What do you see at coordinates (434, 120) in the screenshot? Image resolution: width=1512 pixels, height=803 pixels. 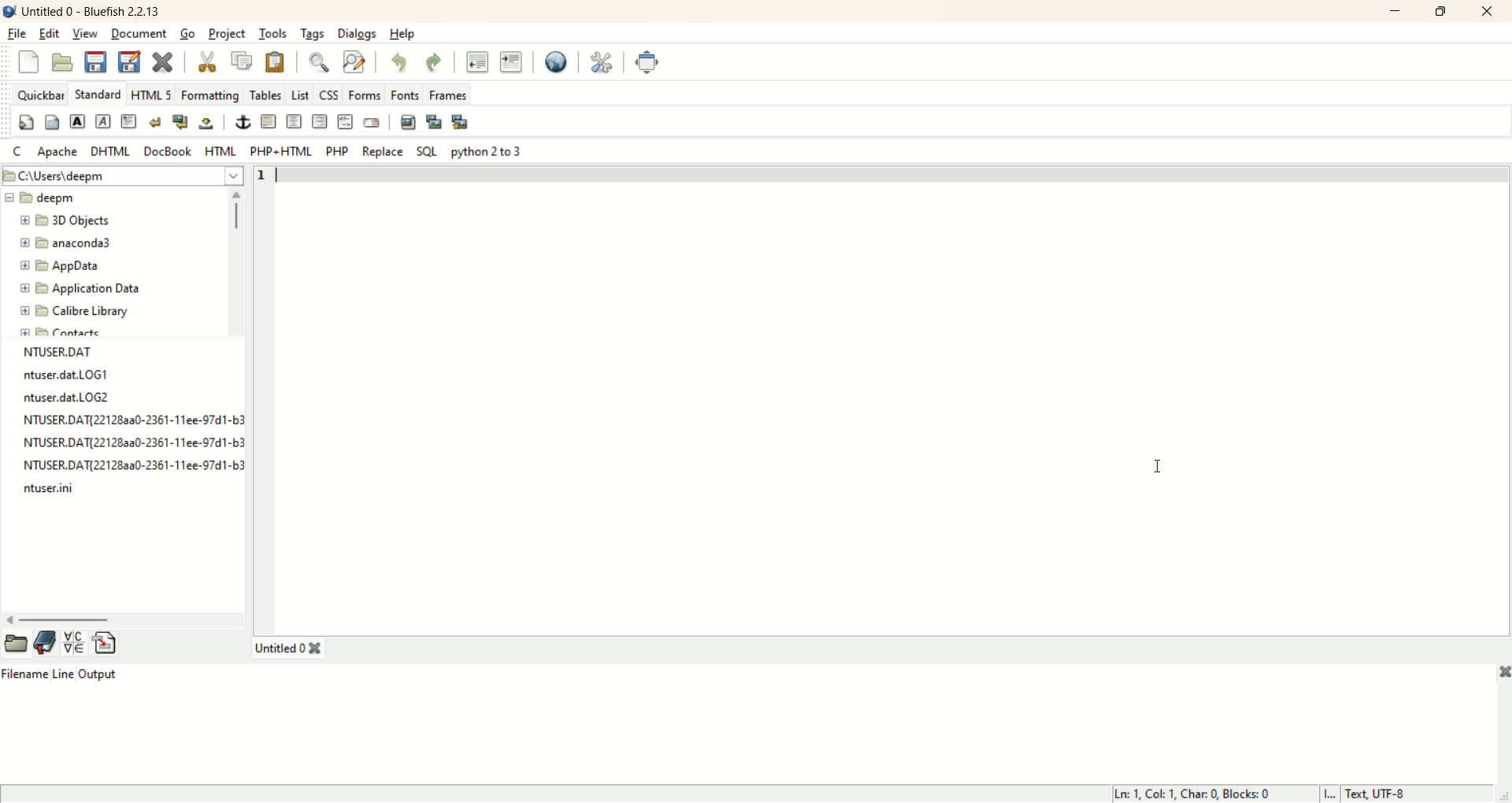 I see `insert thumbnail` at bounding box center [434, 120].